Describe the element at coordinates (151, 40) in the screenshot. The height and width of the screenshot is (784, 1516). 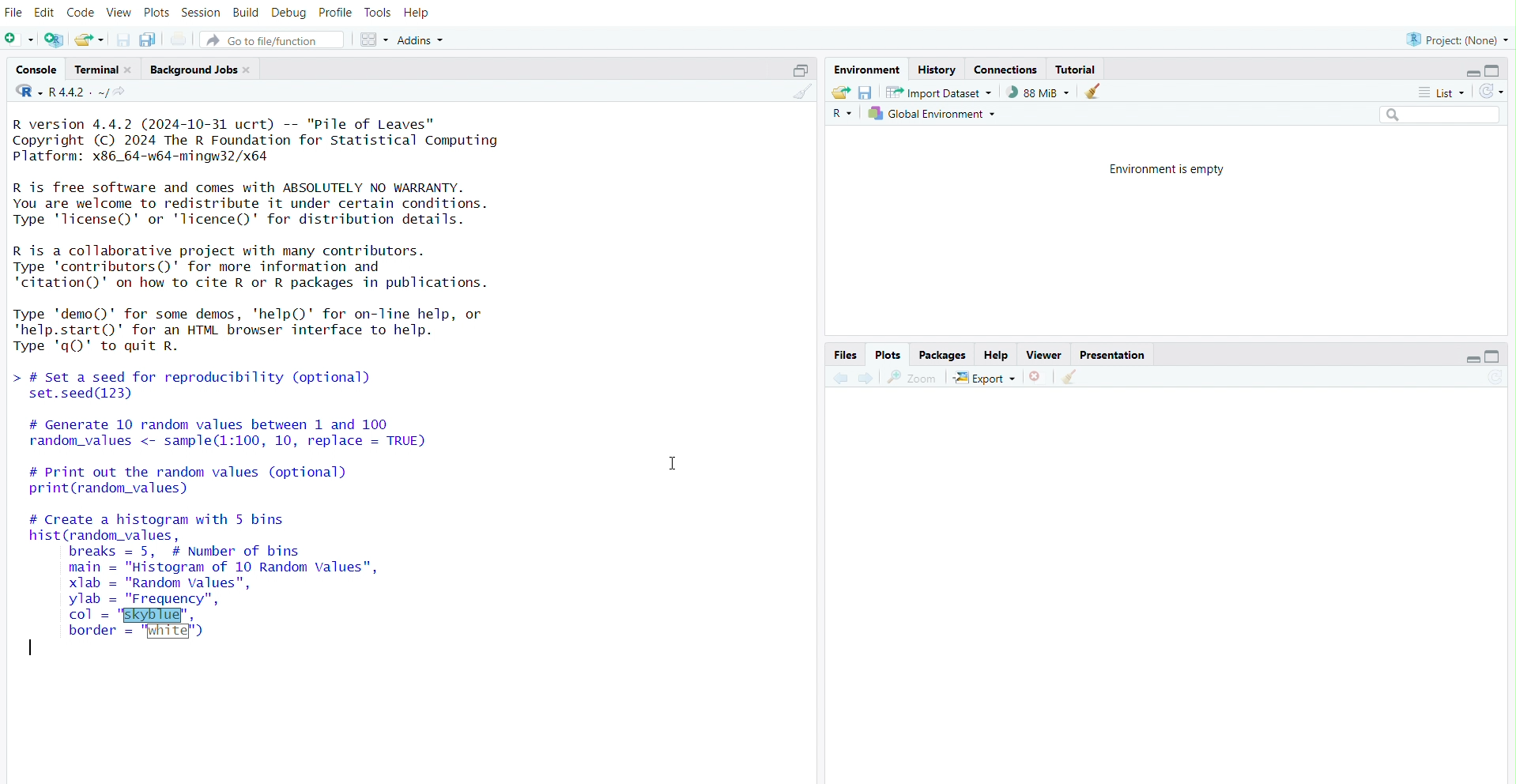
I see `save all open documents` at that location.